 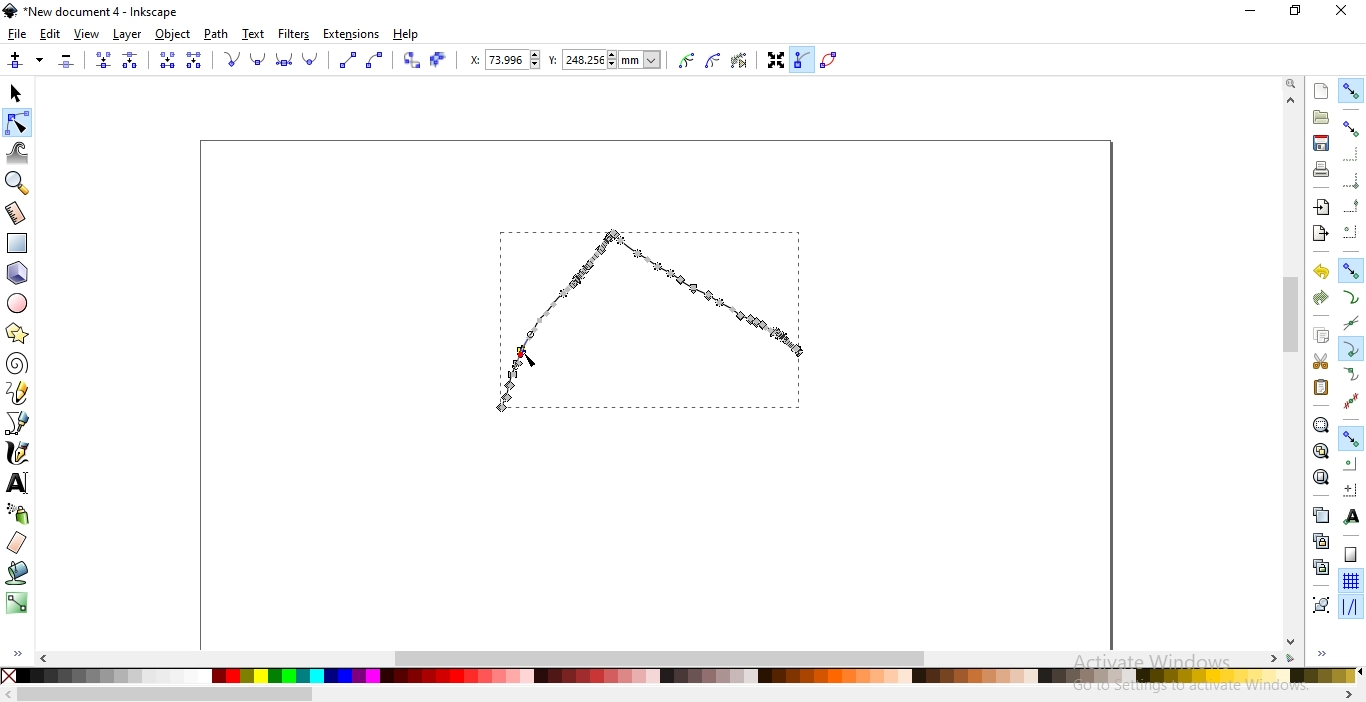 What do you see at coordinates (1321, 604) in the screenshot?
I see `group selected objects` at bounding box center [1321, 604].